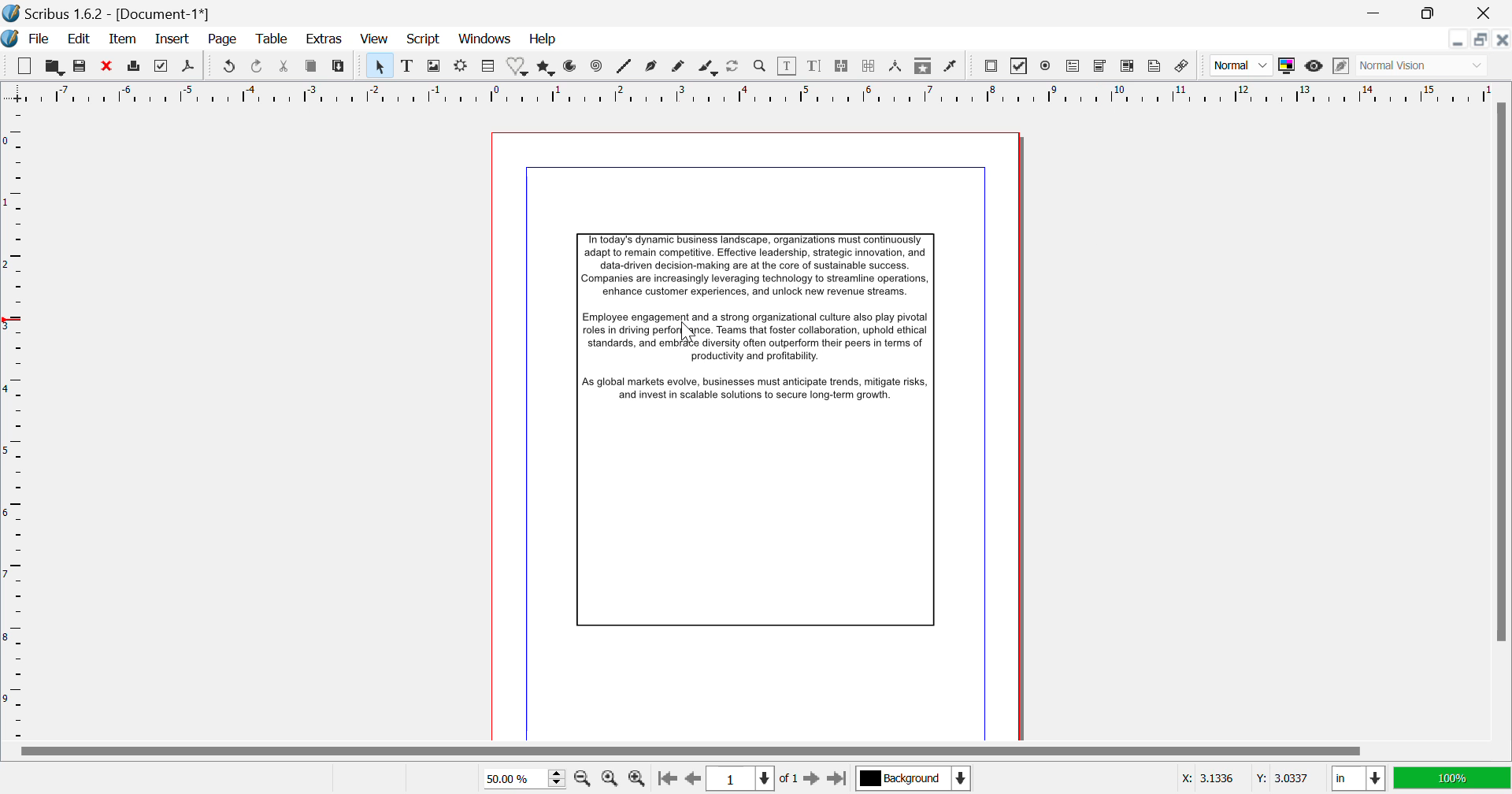  Describe the element at coordinates (543, 39) in the screenshot. I see `Help` at that location.